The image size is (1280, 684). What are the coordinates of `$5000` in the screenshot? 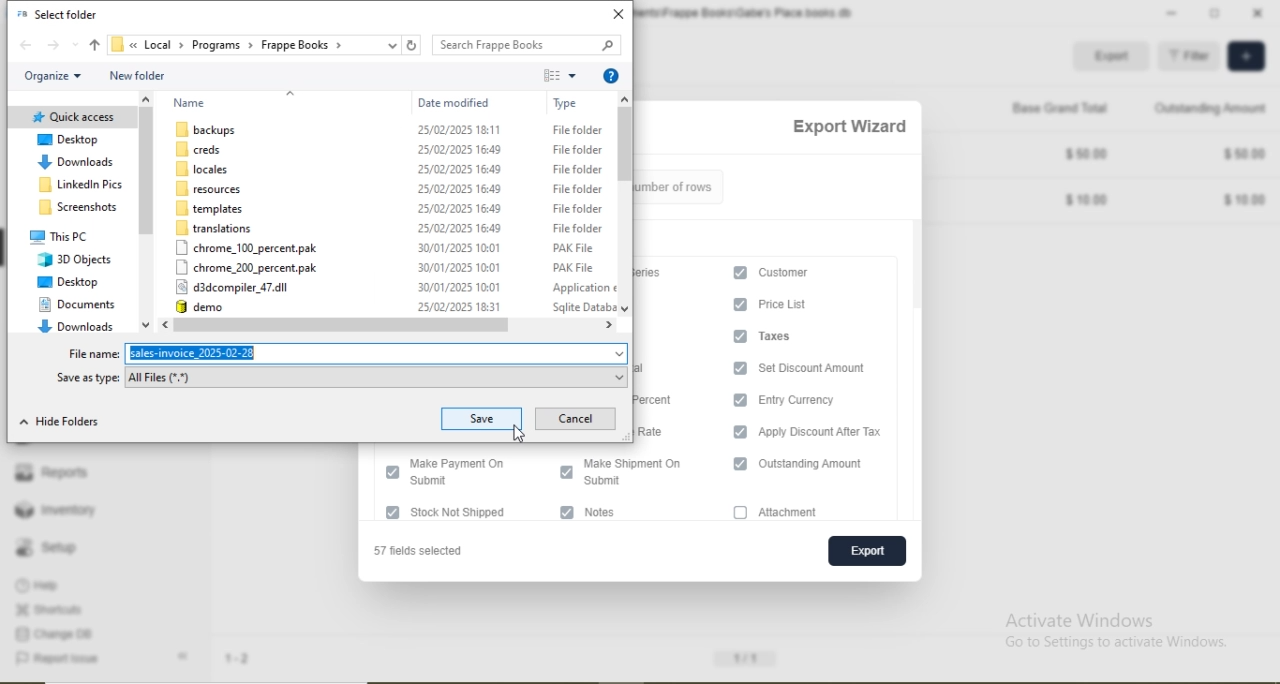 It's located at (1087, 152).